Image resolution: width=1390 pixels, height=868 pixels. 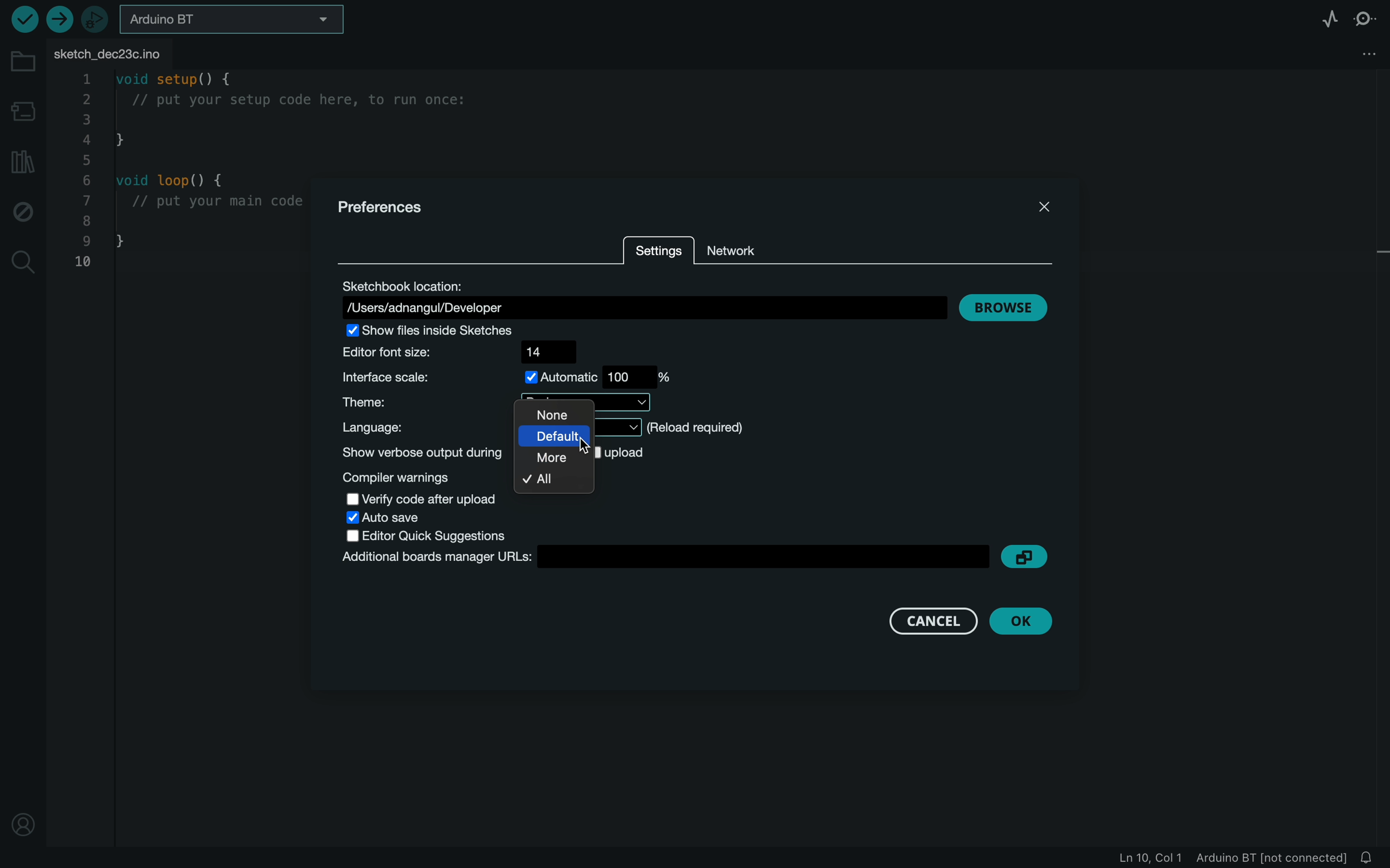 What do you see at coordinates (419, 428) in the screenshot?
I see `language` at bounding box center [419, 428].